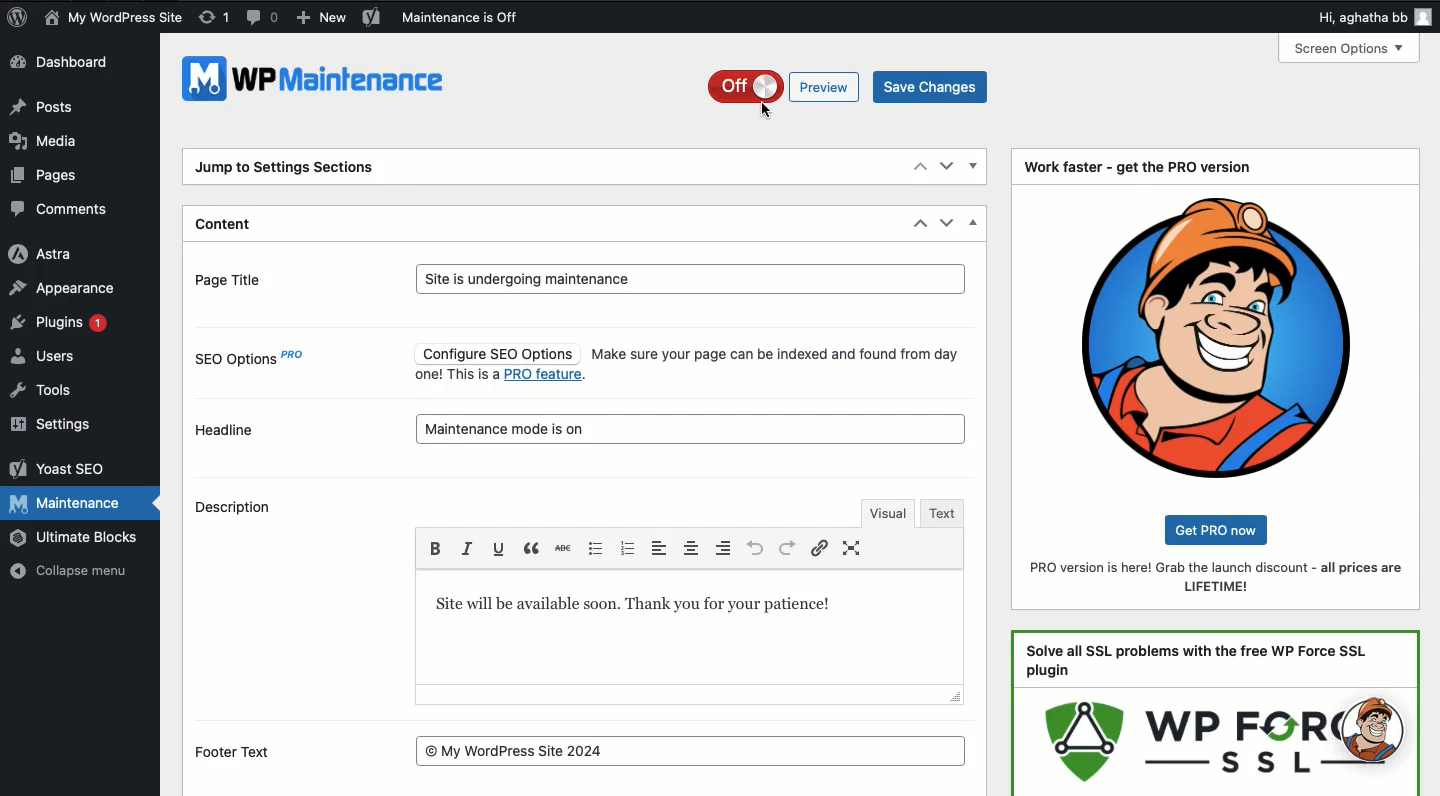  I want to click on Make sure your page can be indexed and found from day, so click(775, 354).